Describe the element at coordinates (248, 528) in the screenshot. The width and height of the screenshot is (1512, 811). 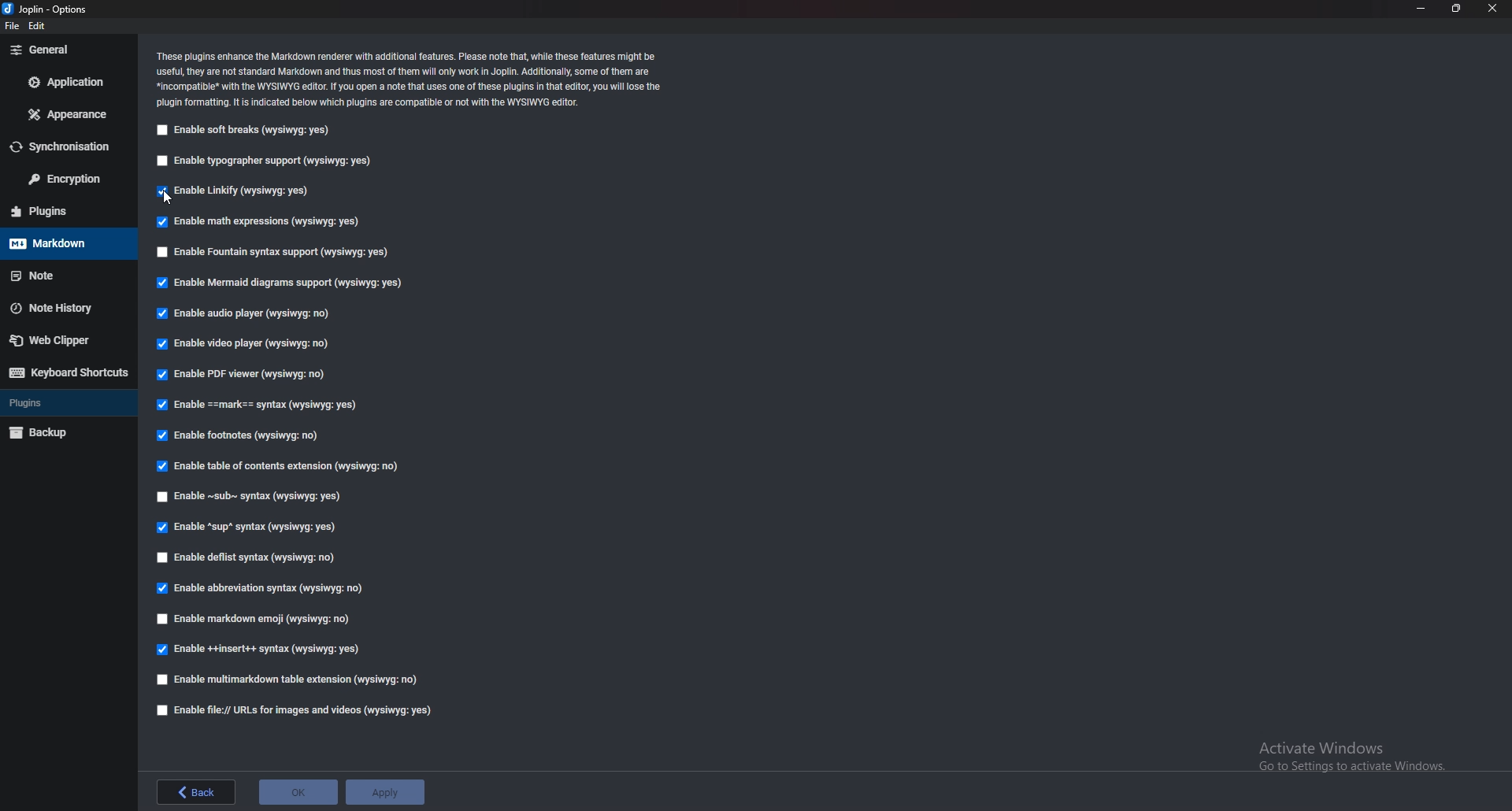
I see `Enable sup syntax` at that location.